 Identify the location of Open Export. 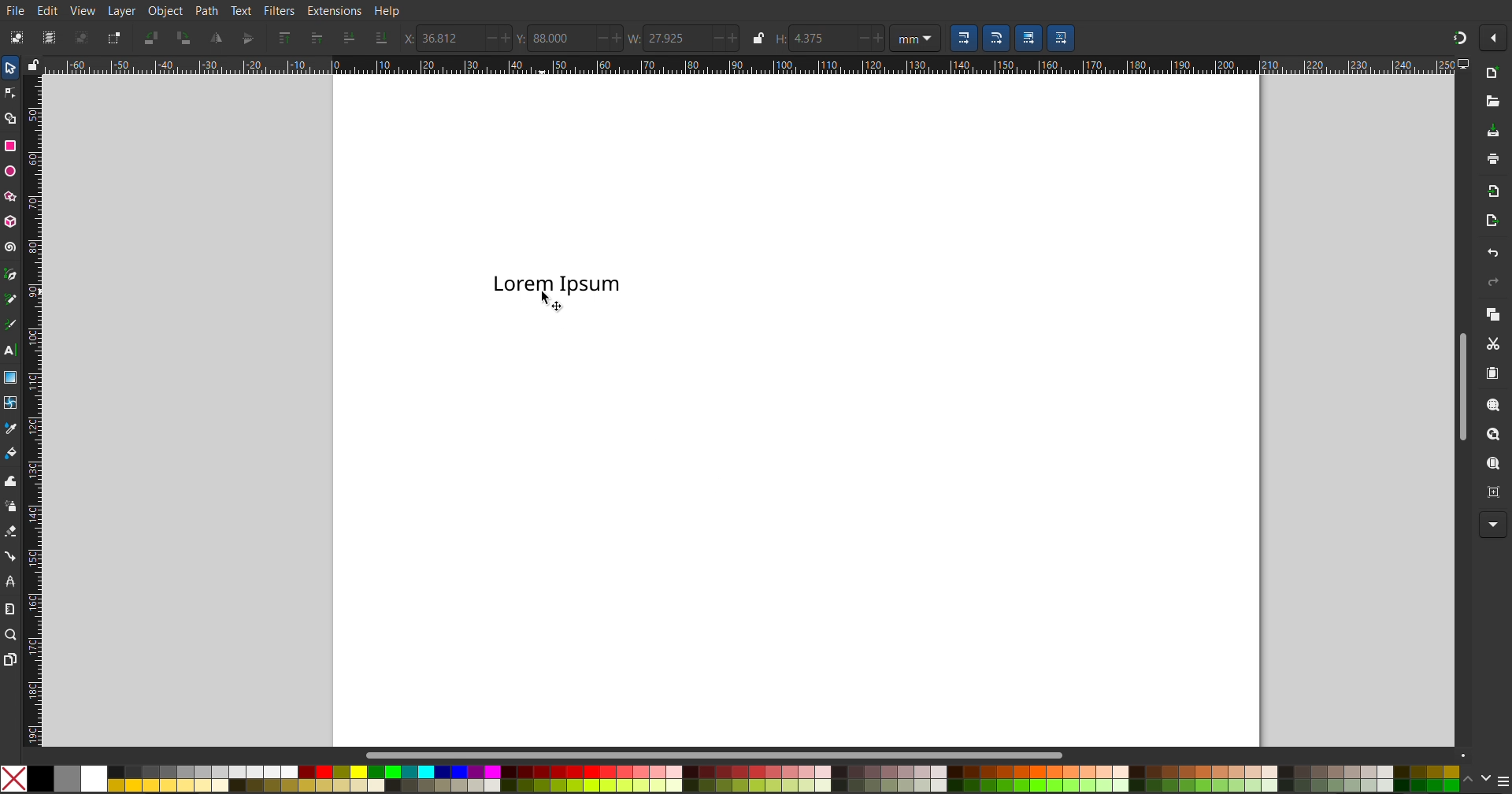
(1492, 223).